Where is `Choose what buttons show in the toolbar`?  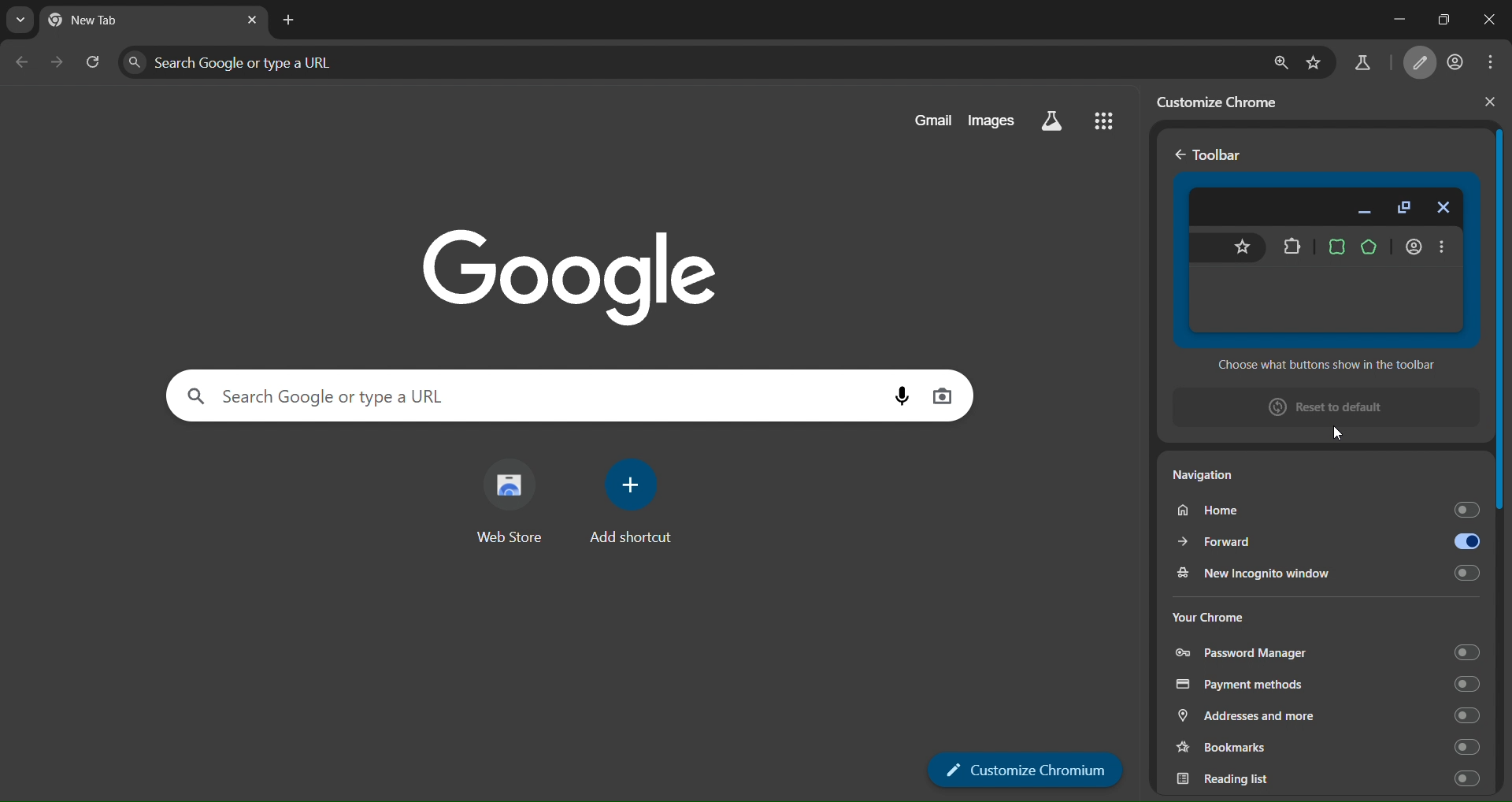
Choose what buttons show in the toolbar is located at coordinates (1328, 364).